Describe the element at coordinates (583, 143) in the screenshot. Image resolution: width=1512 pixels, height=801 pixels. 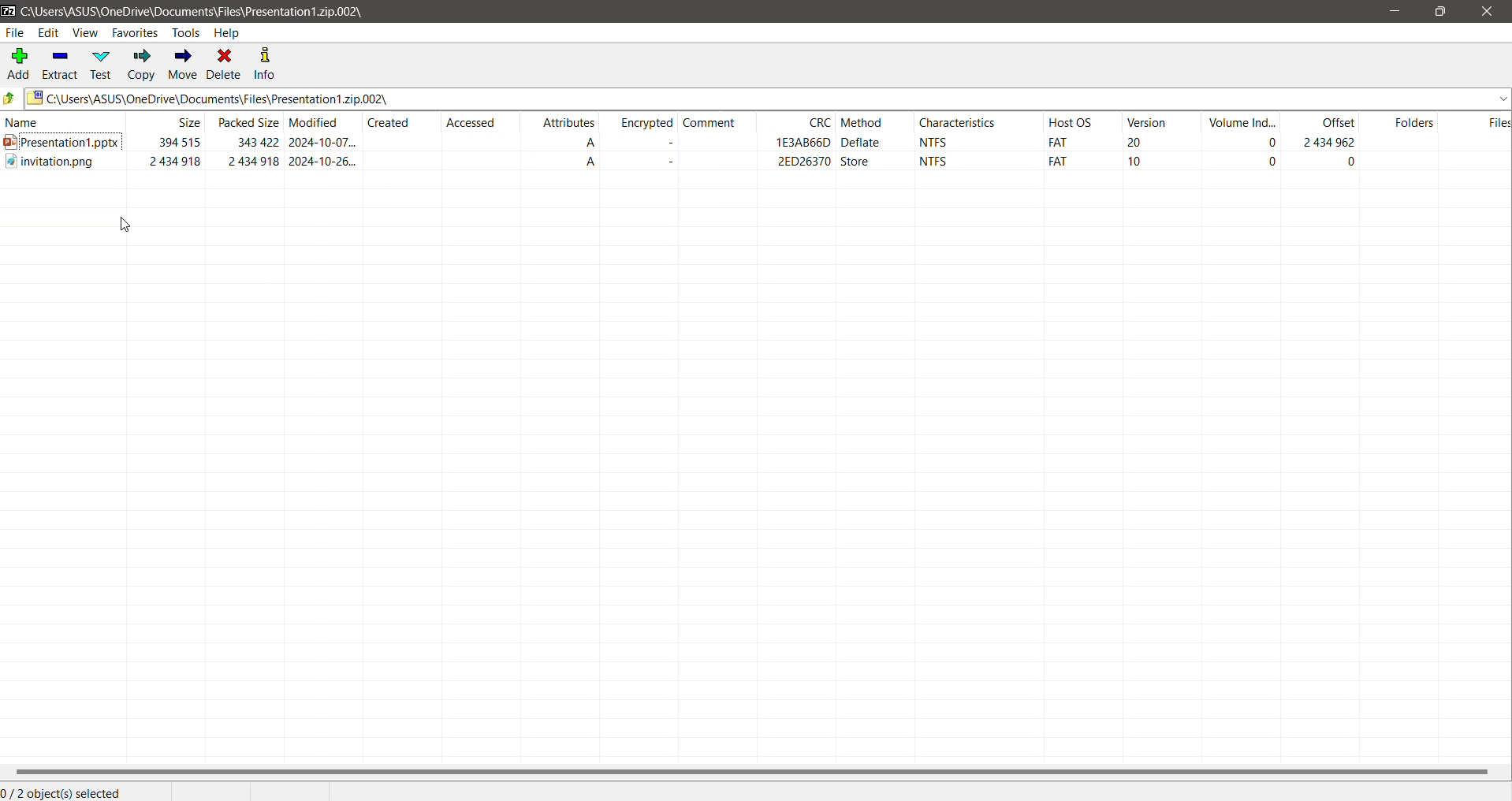
I see `A` at that location.